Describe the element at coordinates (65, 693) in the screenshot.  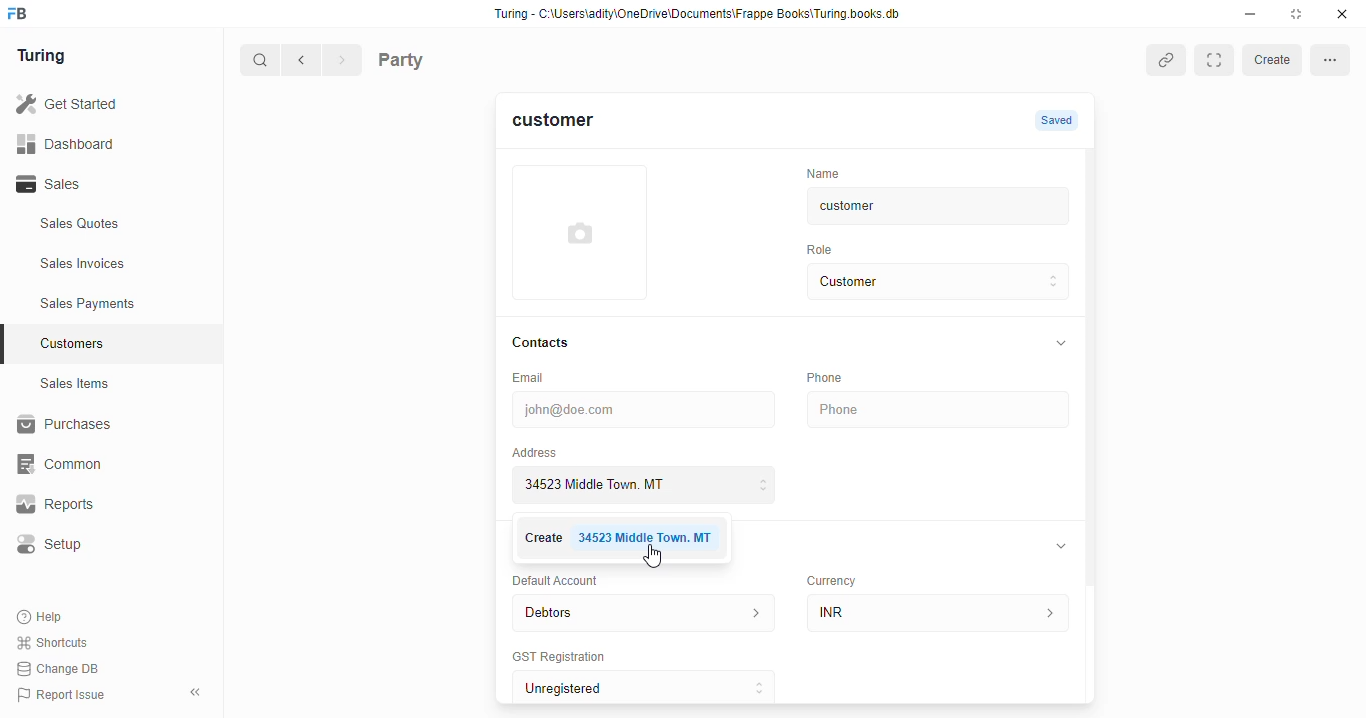
I see `Report Issue` at that location.